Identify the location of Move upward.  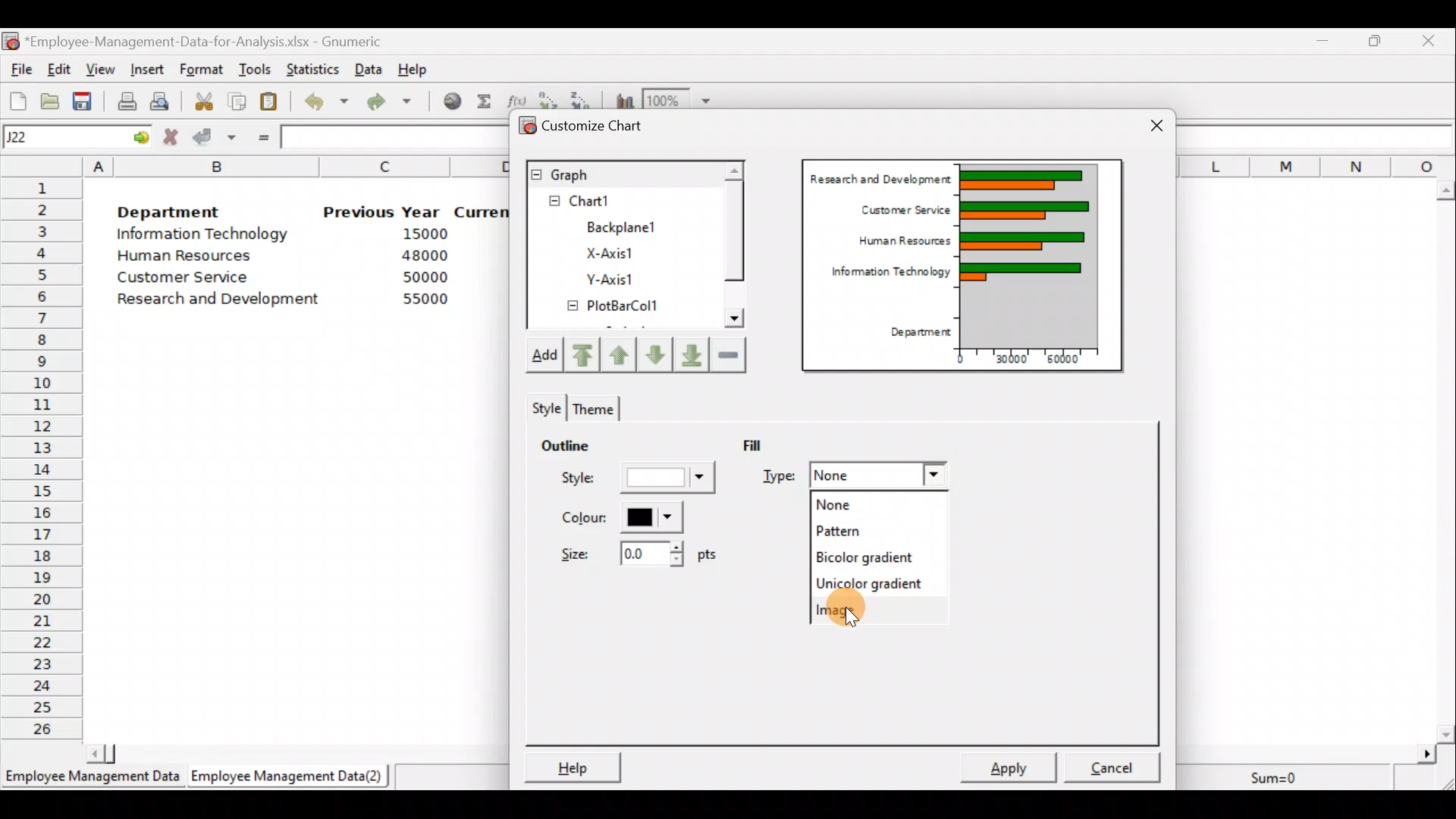
(587, 354).